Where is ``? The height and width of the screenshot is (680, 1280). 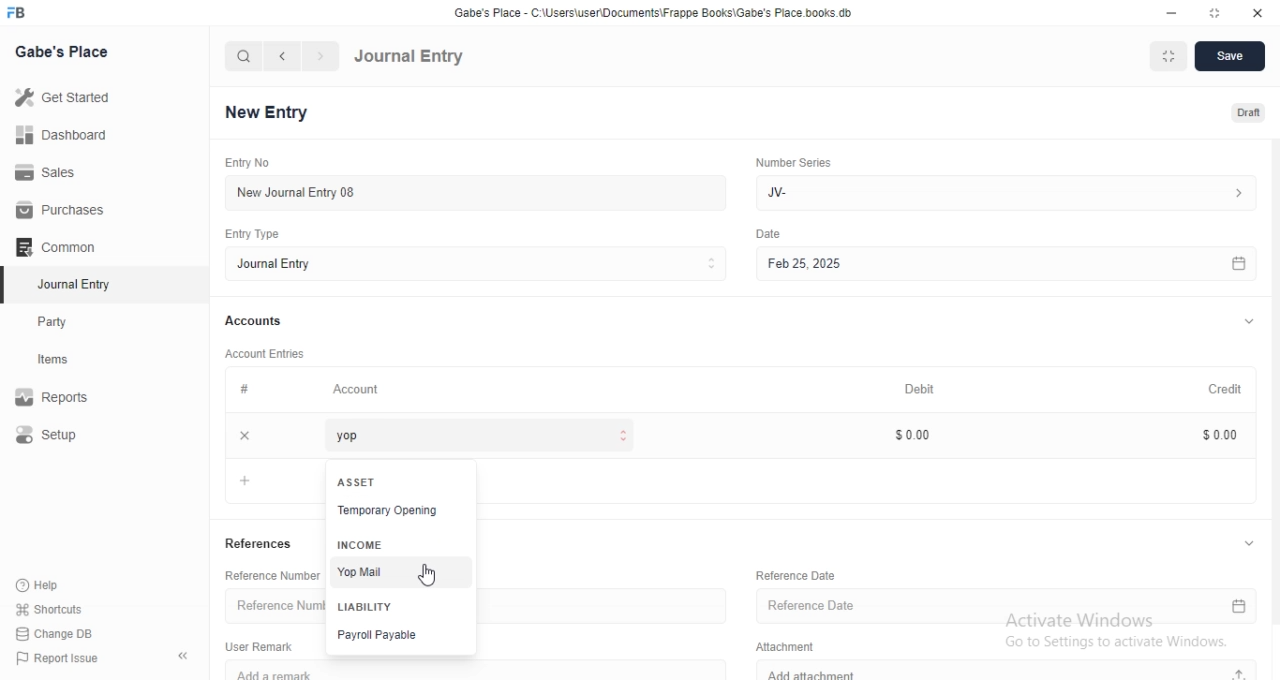
 is located at coordinates (768, 234).